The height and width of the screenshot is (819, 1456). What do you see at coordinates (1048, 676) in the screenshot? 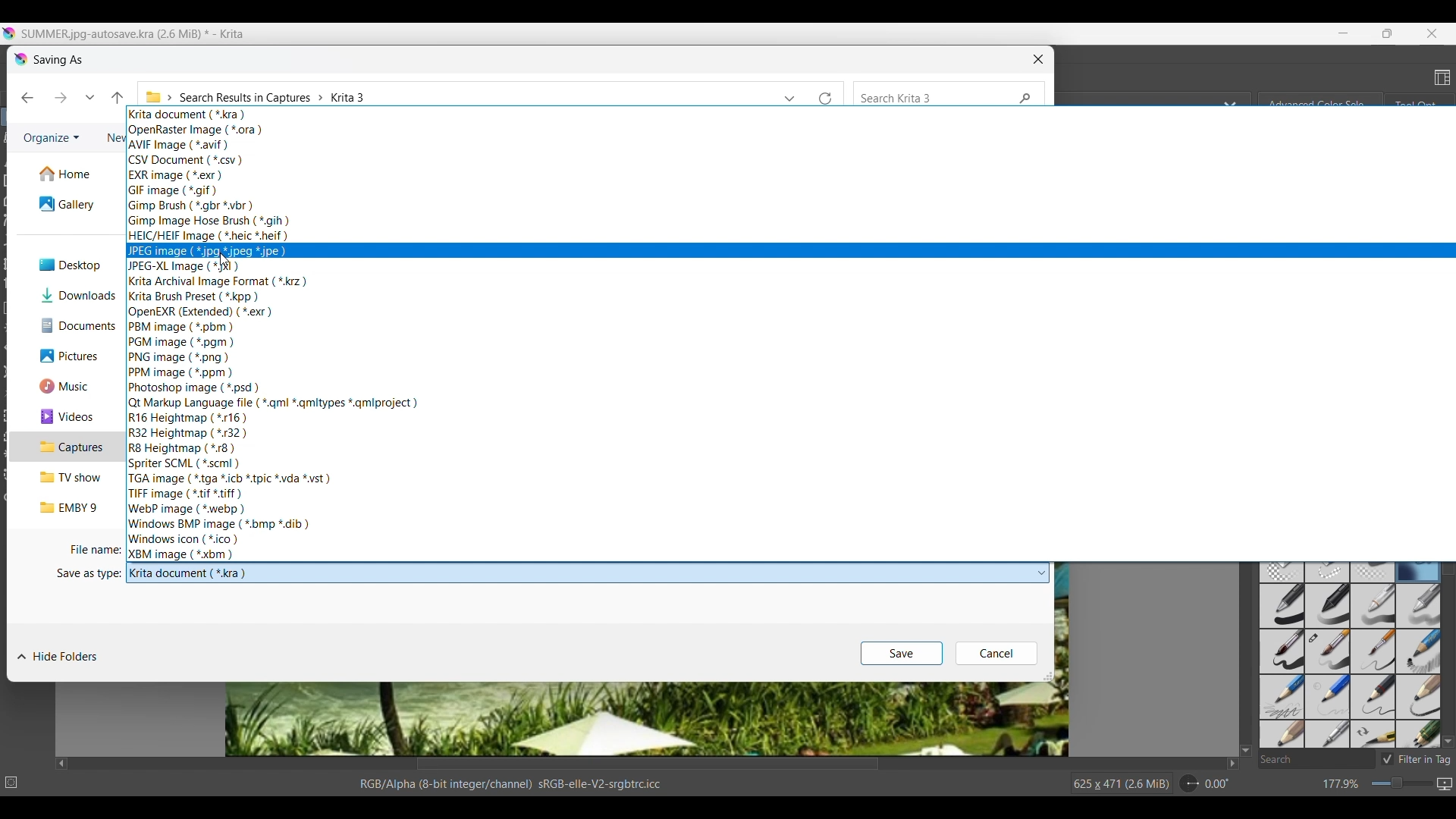
I see `Change height and width of window` at bounding box center [1048, 676].